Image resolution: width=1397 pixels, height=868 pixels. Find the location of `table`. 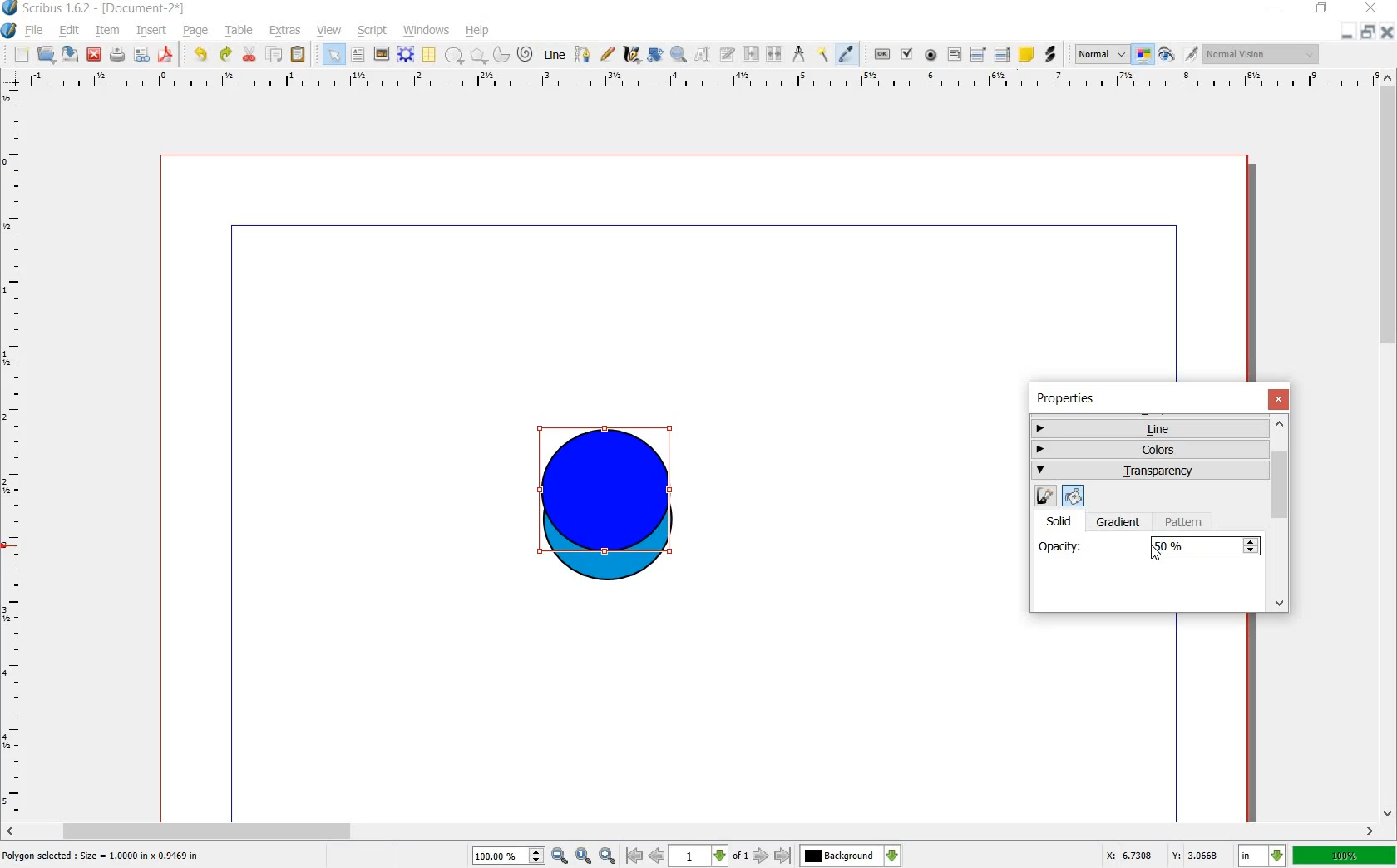

table is located at coordinates (240, 31).